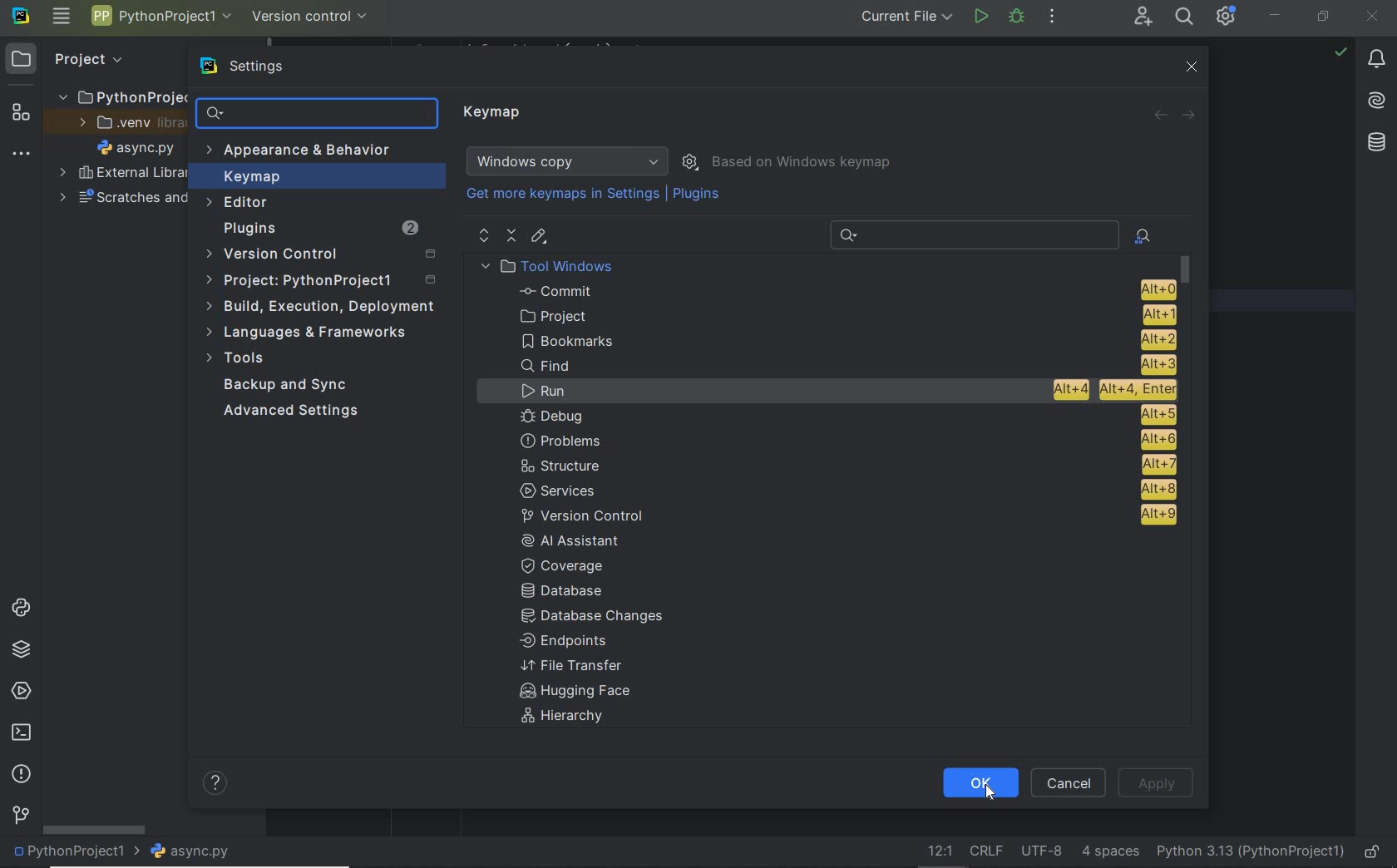 This screenshot has height=868, width=1397. Describe the element at coordinates (565, 642) in the screenshot. I see `Endpoints` at that location.